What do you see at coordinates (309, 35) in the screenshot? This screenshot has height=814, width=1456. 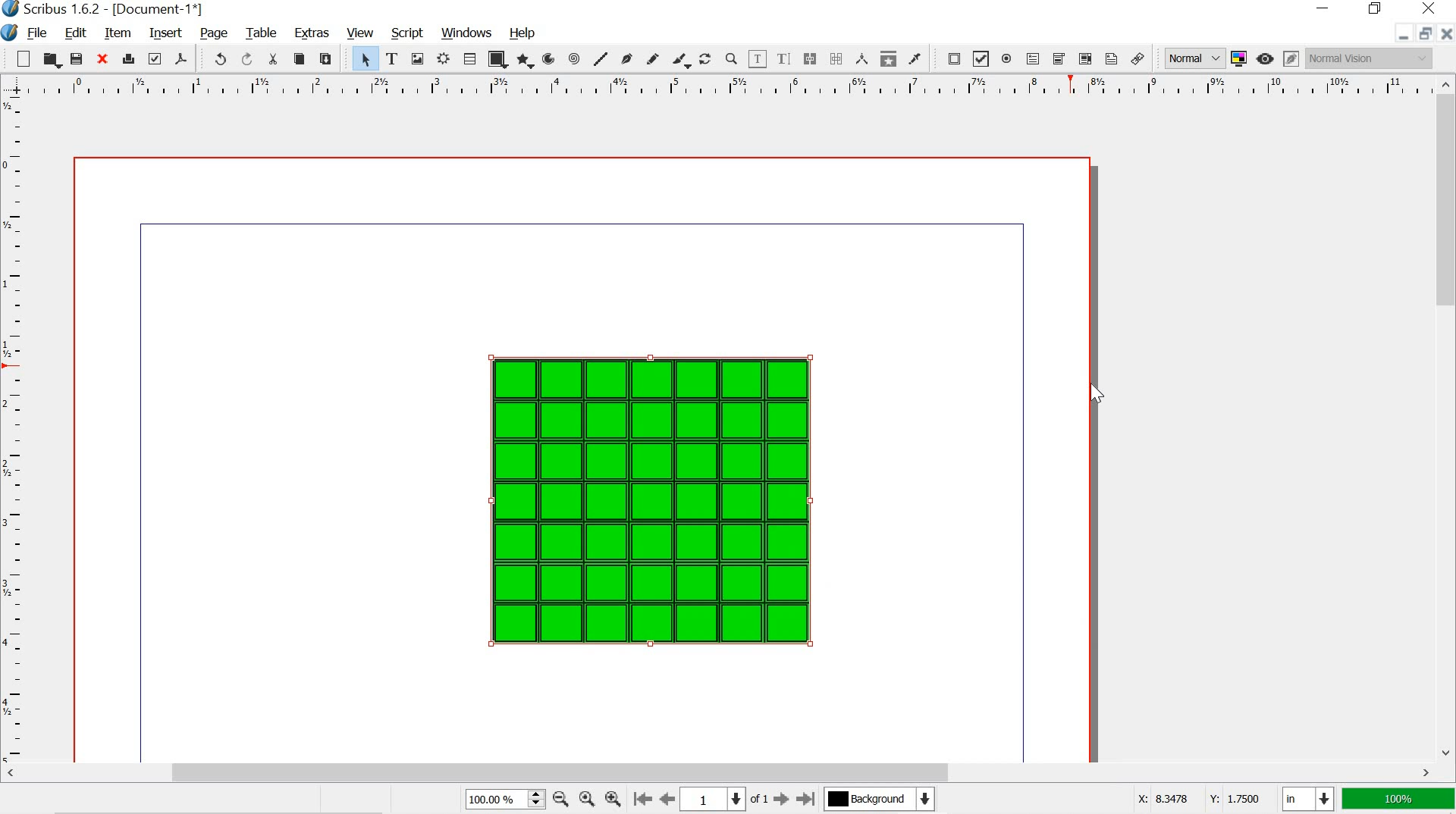 I see `extras` at bounding box center [309, 35].